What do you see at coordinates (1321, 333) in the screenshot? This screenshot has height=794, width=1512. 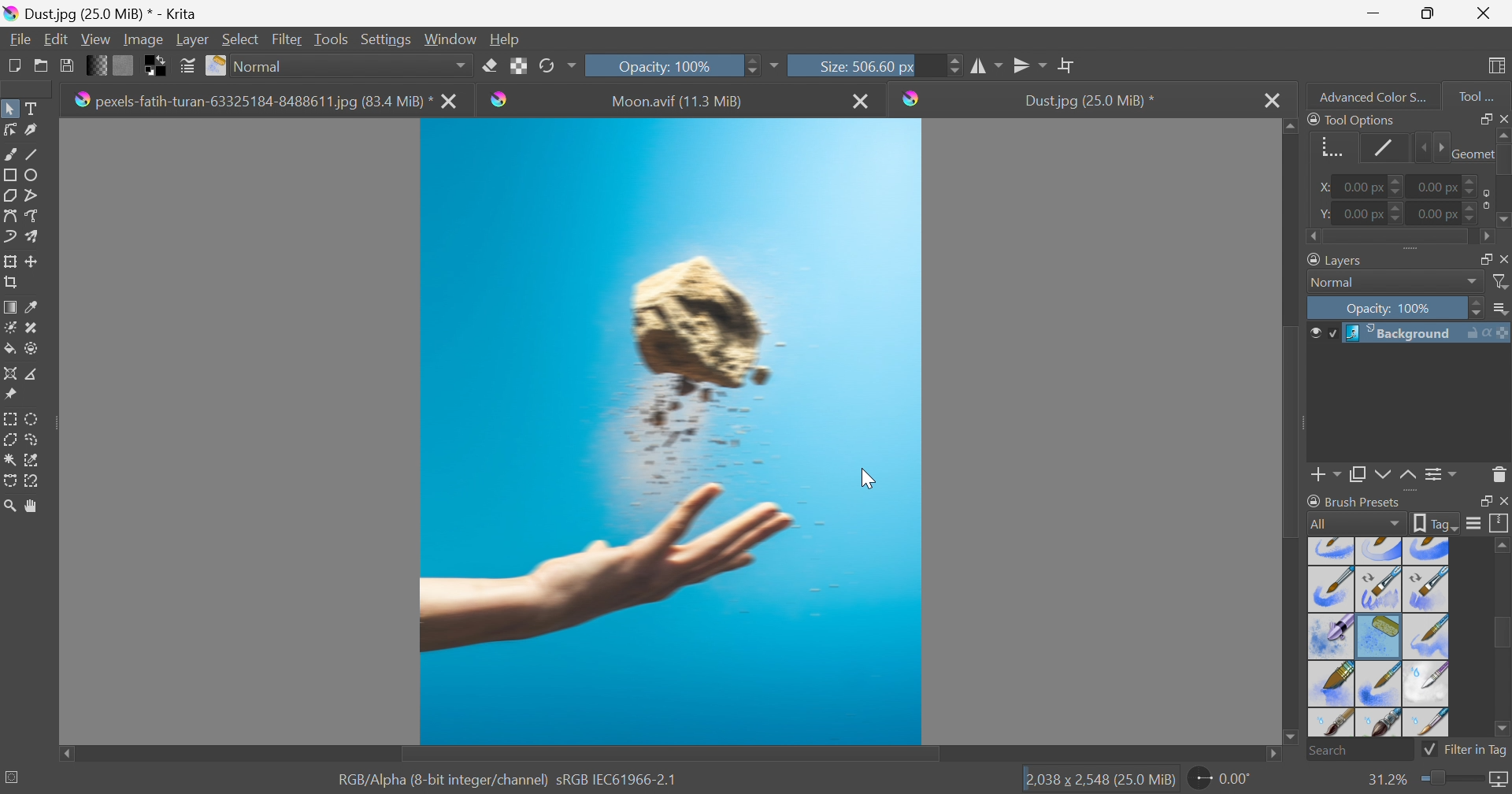 I see `Visible` at bounding box center [1321, 333].